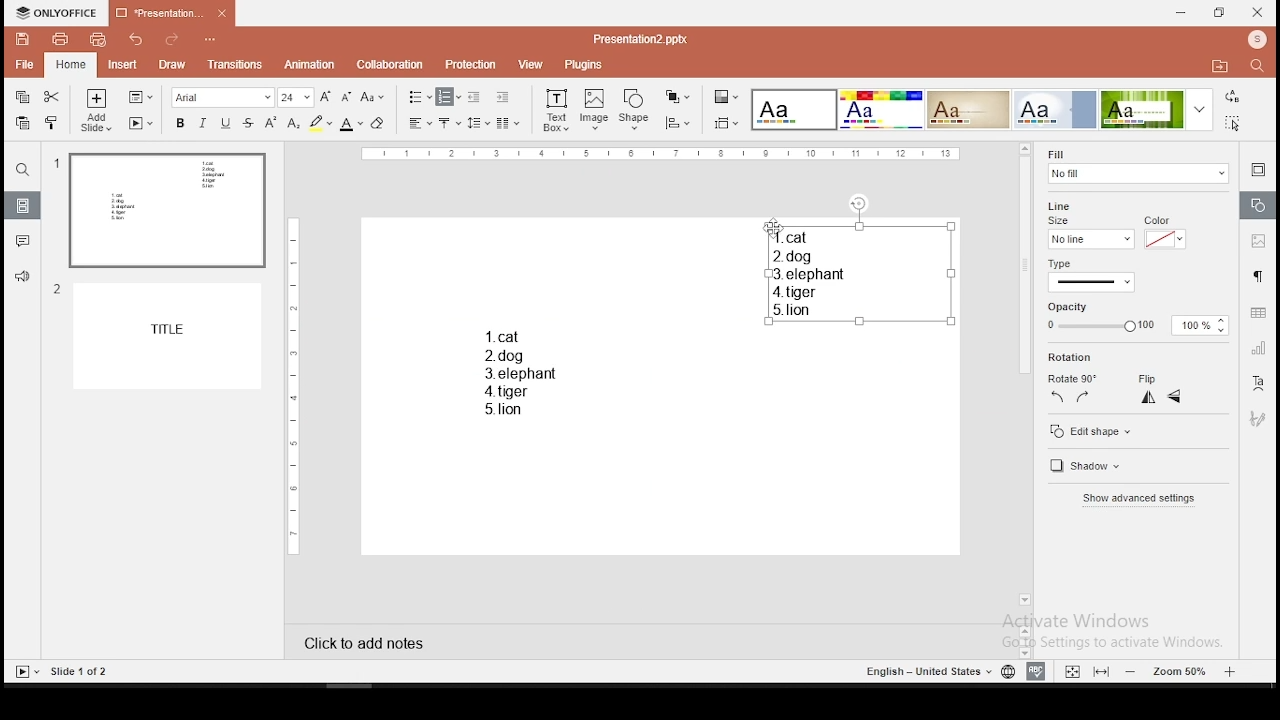 This screenshot has width=1280, height=720. What do you see at coordinates (225, 123) in the screenshot?
I see `underline` at bounding box center [225, 123].